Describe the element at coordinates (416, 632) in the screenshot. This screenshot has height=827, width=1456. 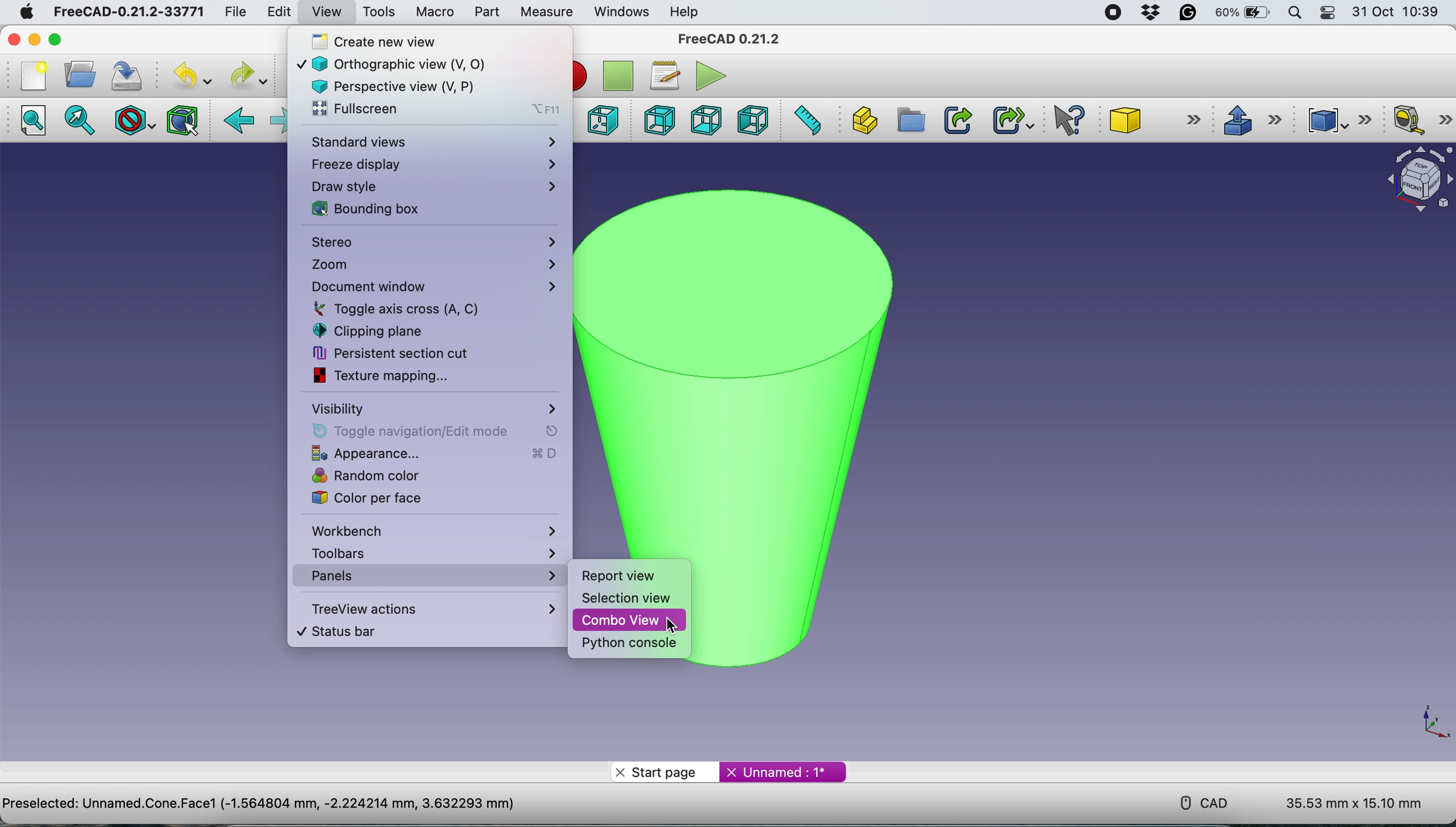
I see `status bar ` at that location.